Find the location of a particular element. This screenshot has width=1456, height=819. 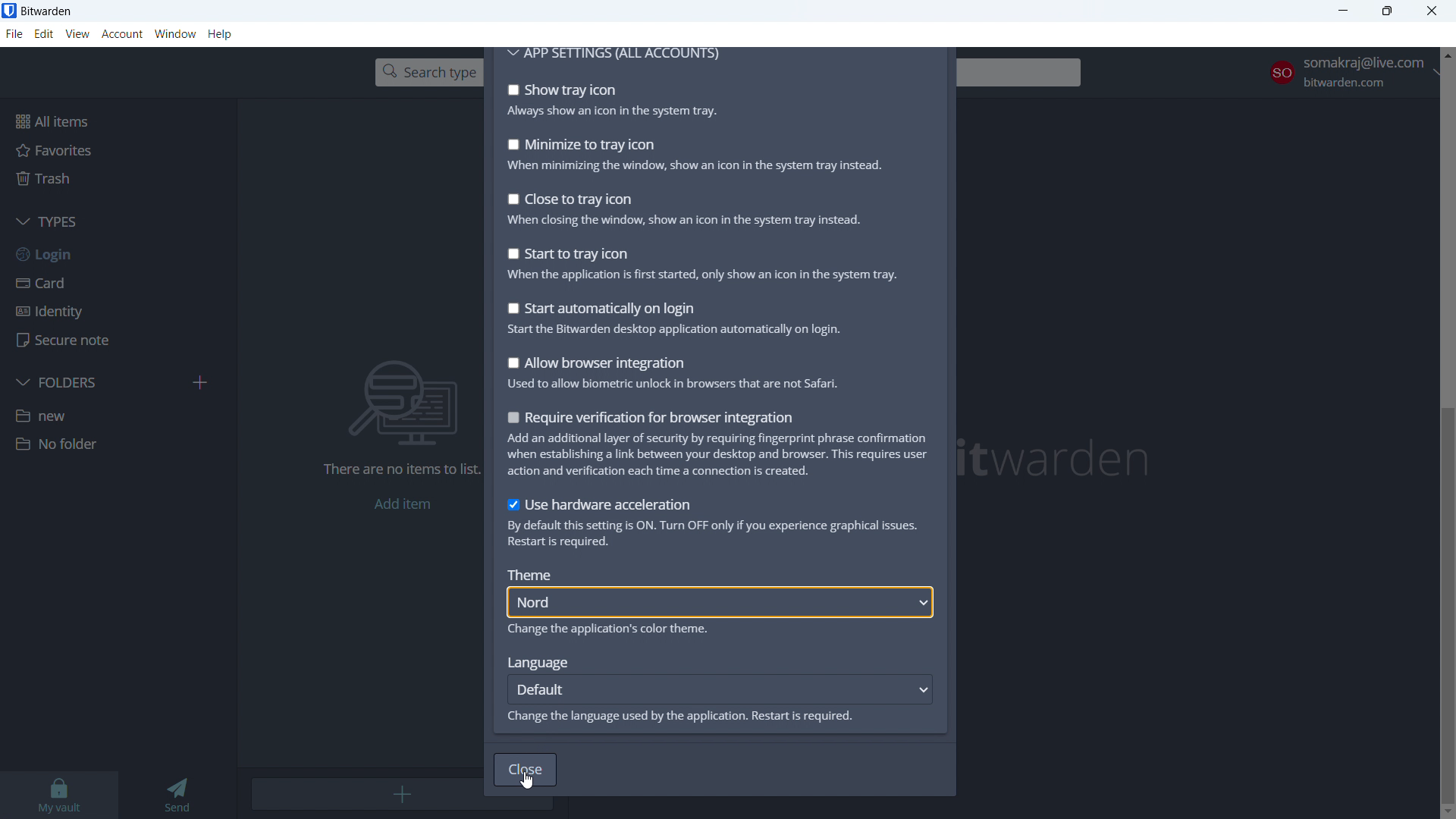

favorites is located at coordinates (116, 149).